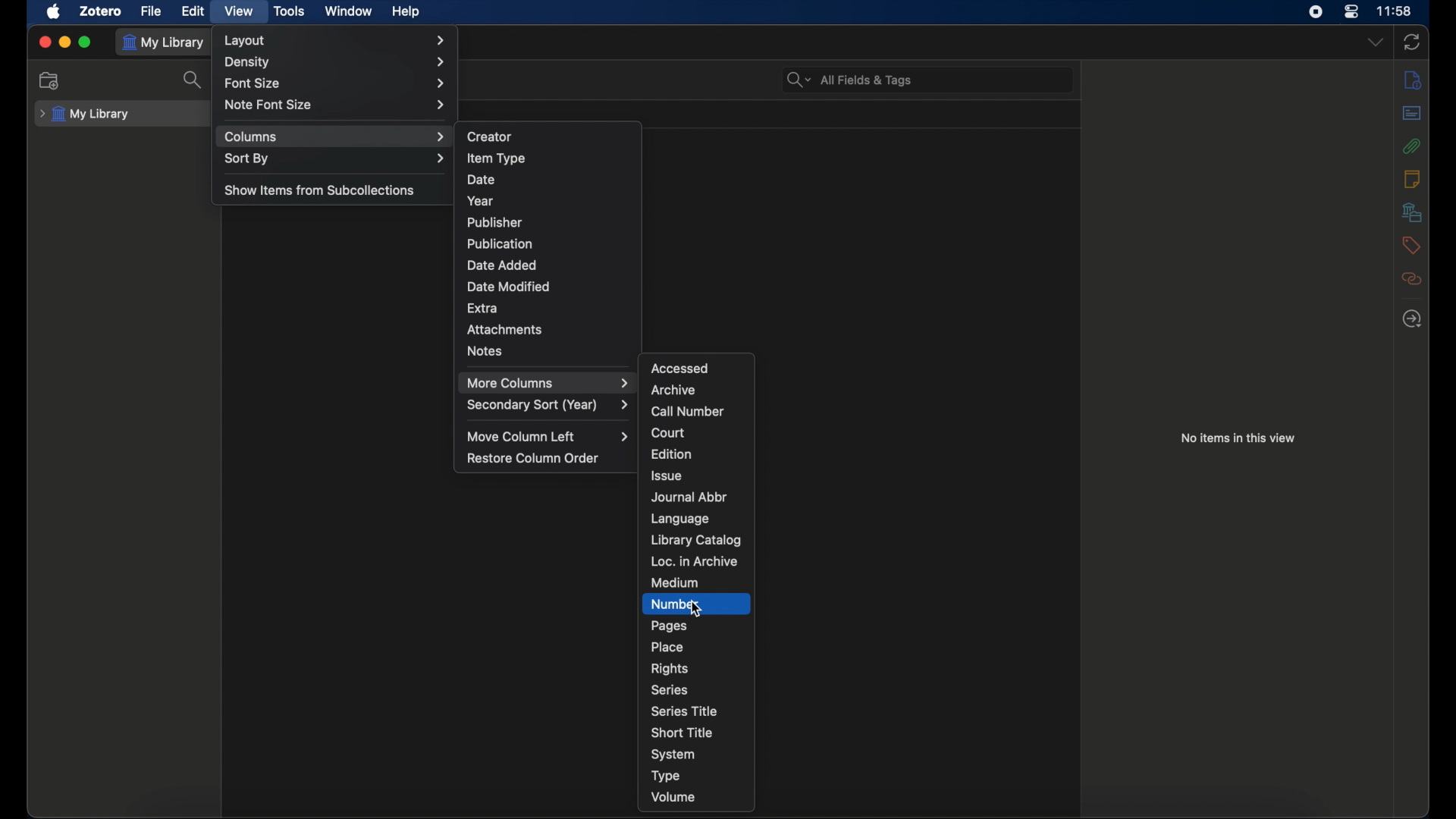 The image size is (1456, 819). What do you see at coordinates (85, 42) in the screenshot?
I see `maximize` at bounding box center [85, 42].